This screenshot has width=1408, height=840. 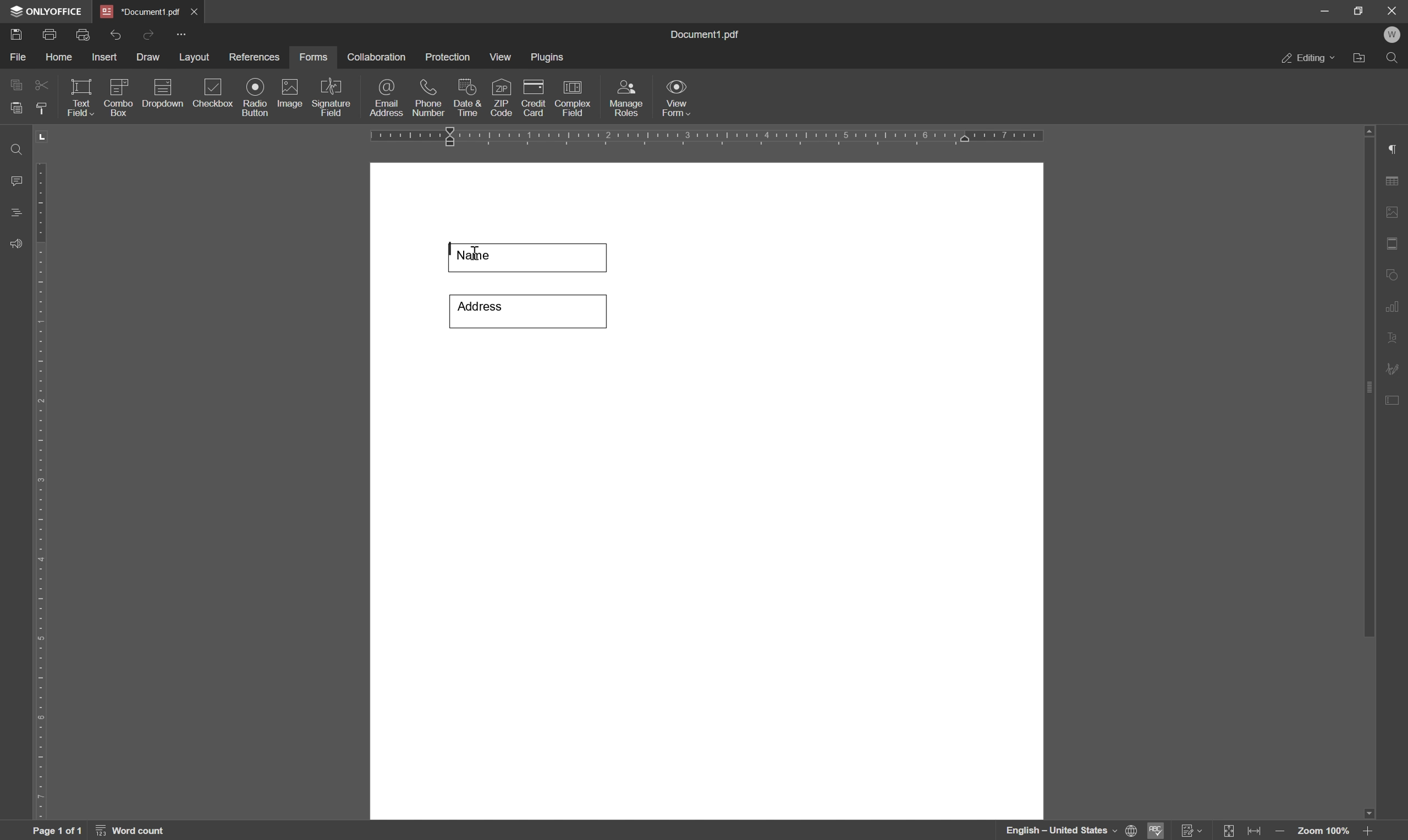 I want to click on phone number, so click(x=429, y=98).